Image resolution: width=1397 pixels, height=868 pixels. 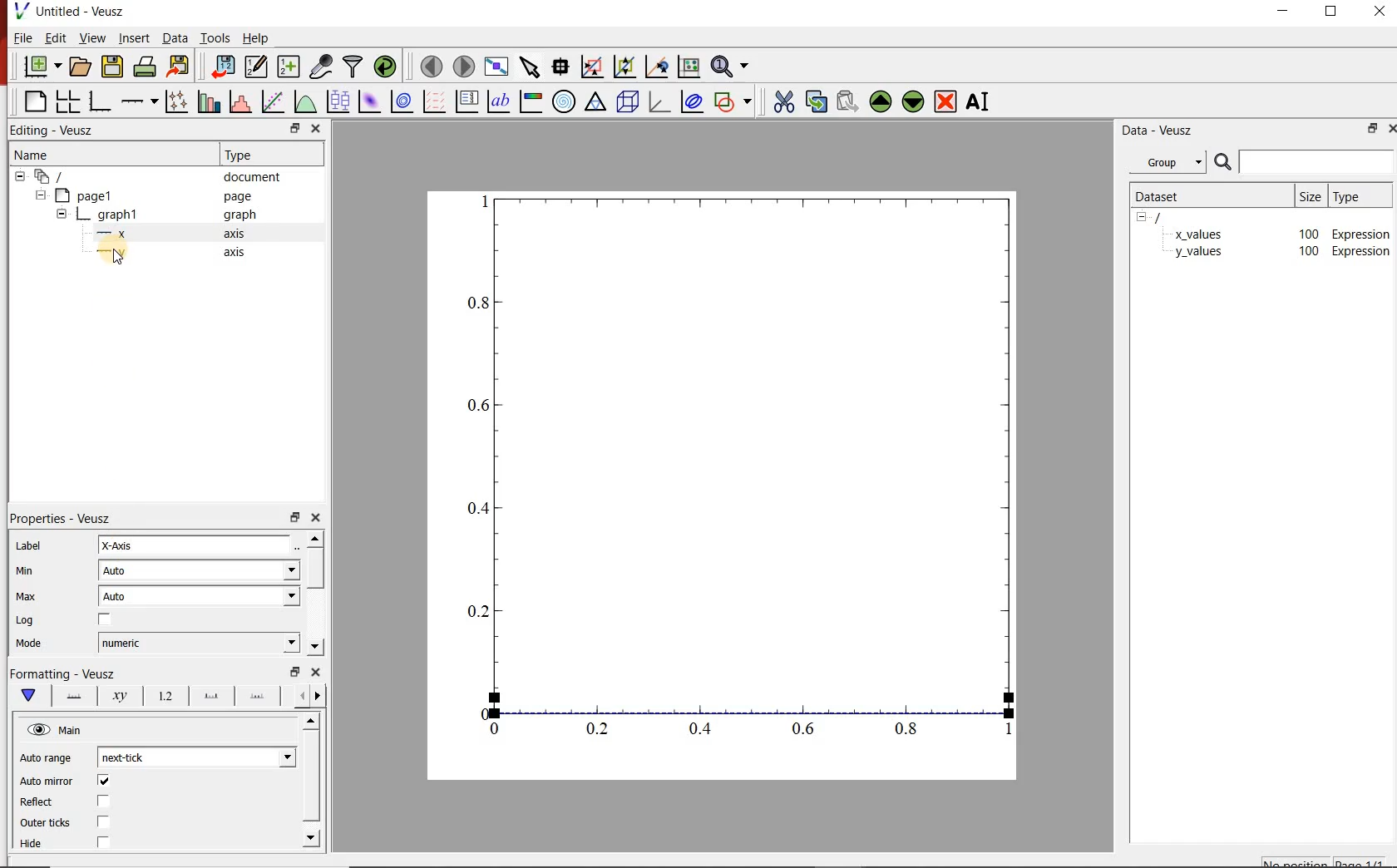 I want to click on axis label, so click(x=121, y=697).